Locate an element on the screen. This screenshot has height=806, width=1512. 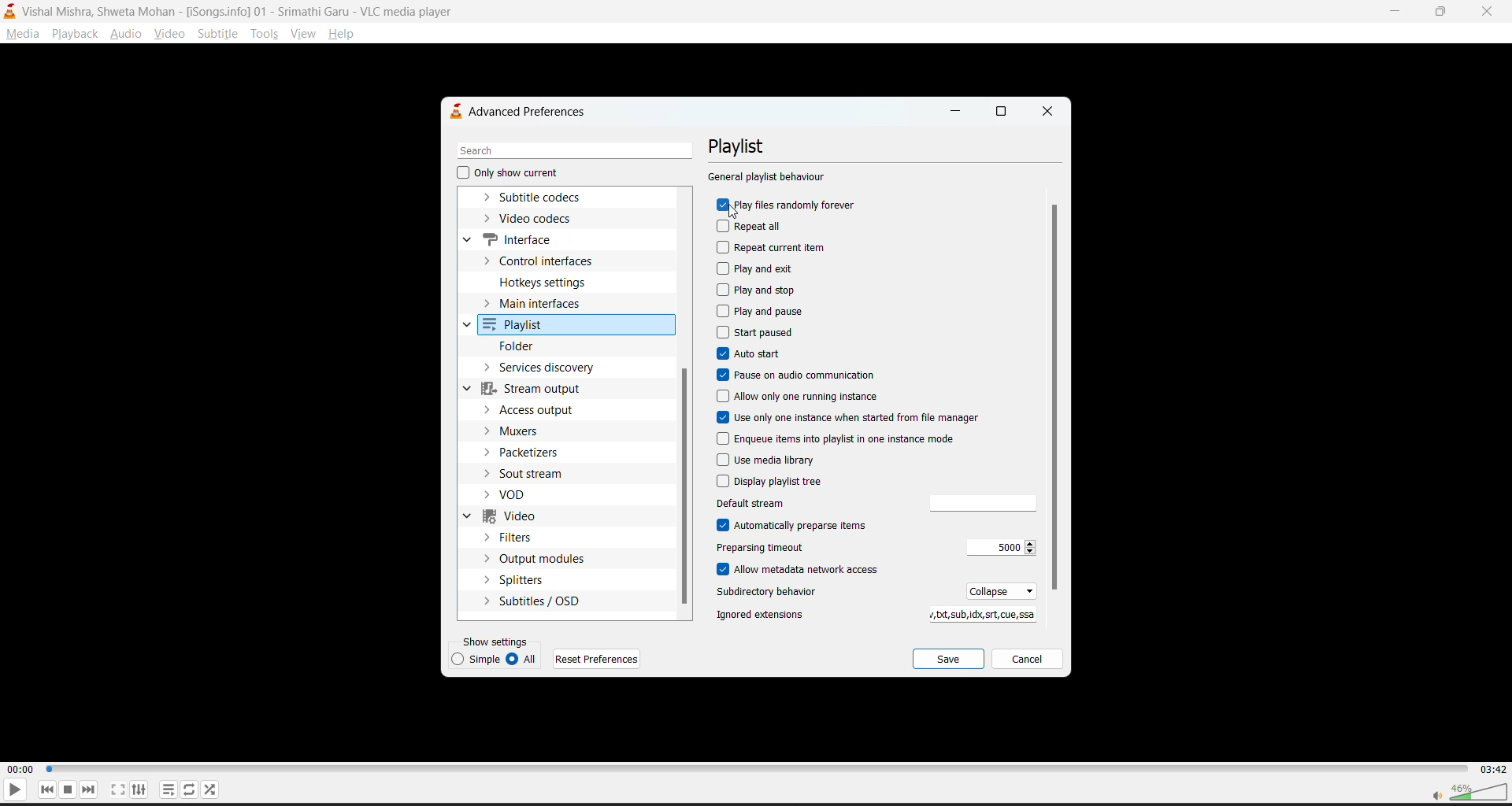
play and exit is located at coordinates (755, 268).